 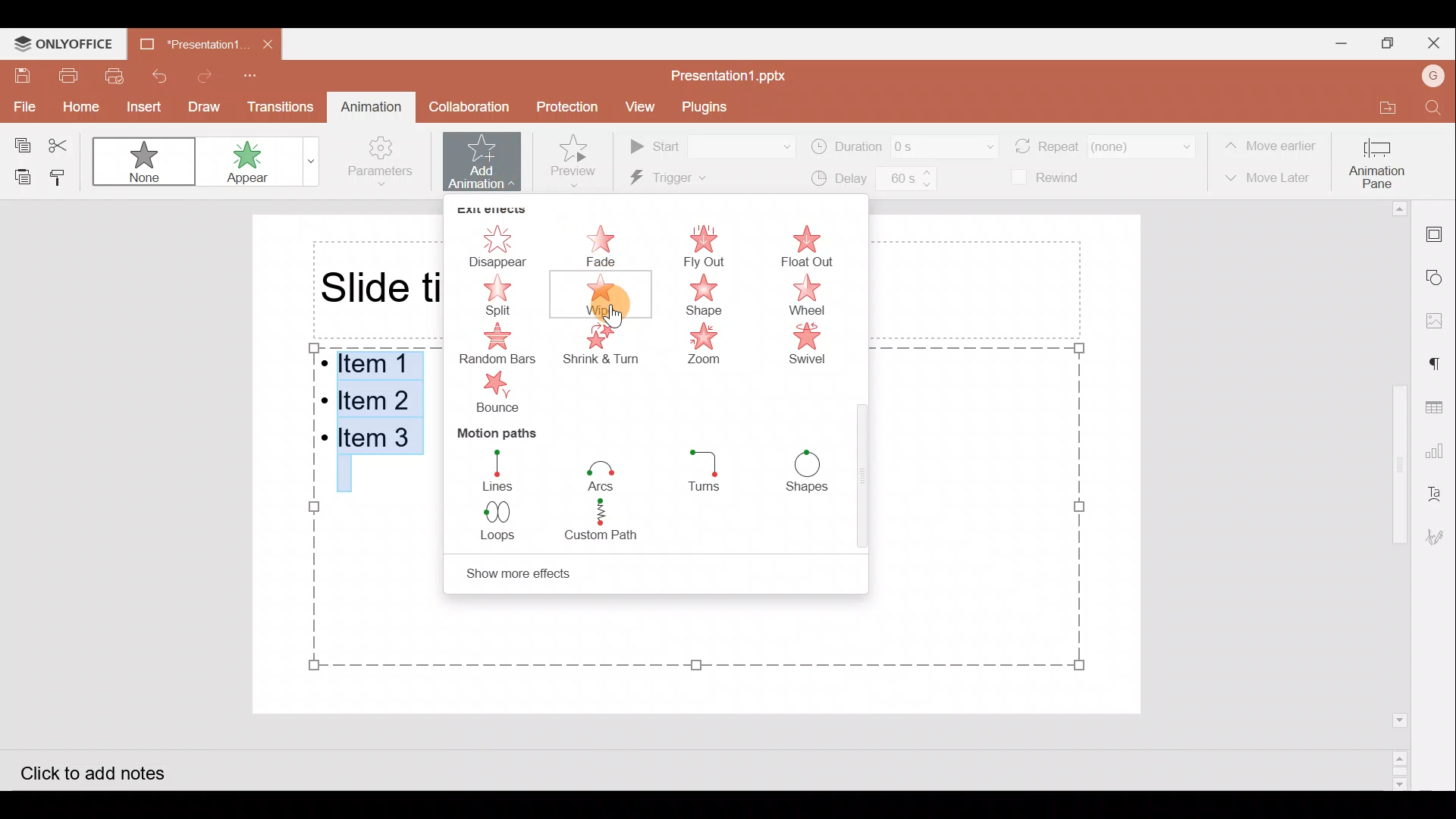 I want to click on Cursor on wipe animation, so click(x=621, y=301).